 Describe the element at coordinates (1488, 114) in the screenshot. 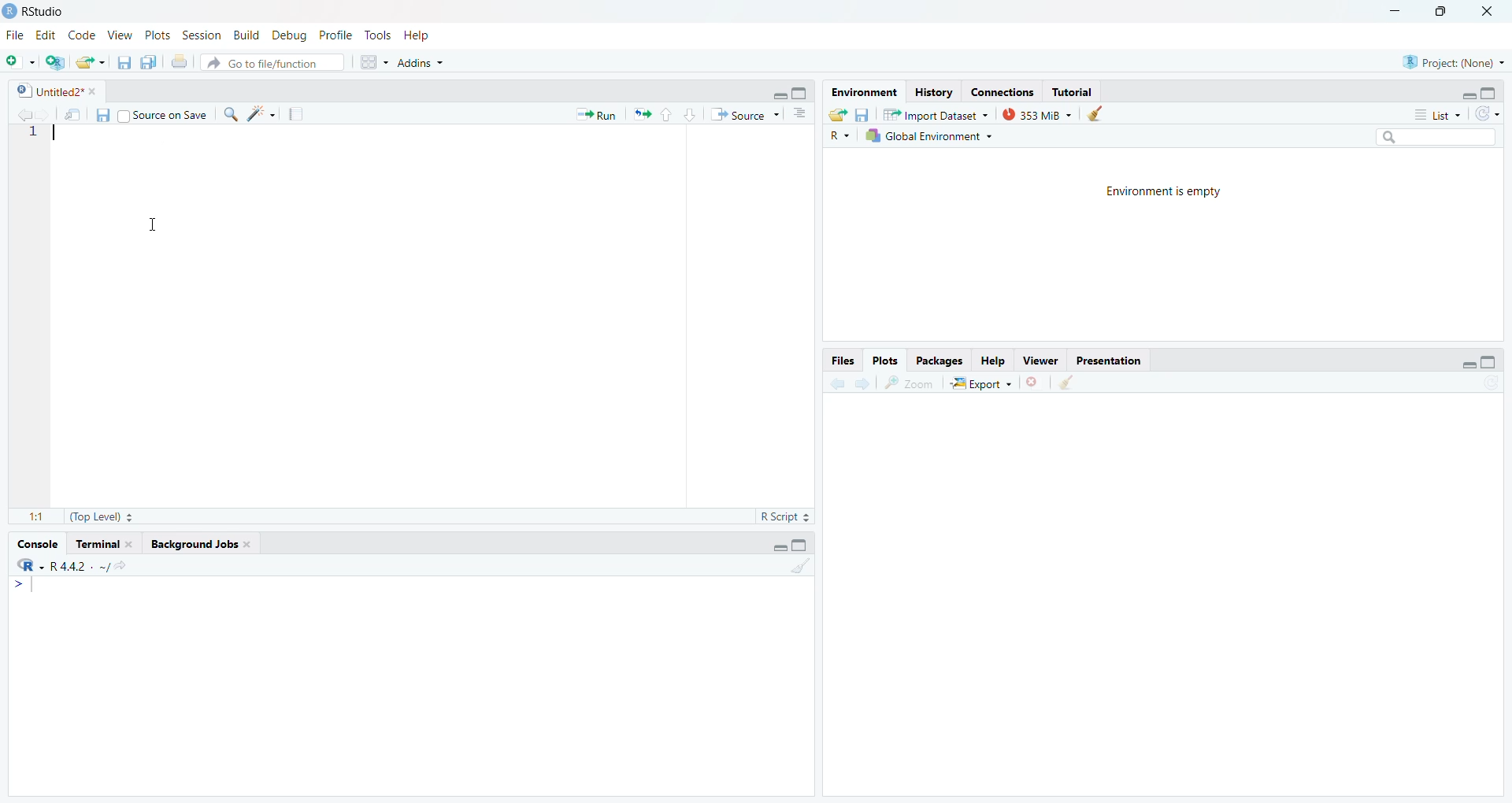

I see `refresh` at that location.